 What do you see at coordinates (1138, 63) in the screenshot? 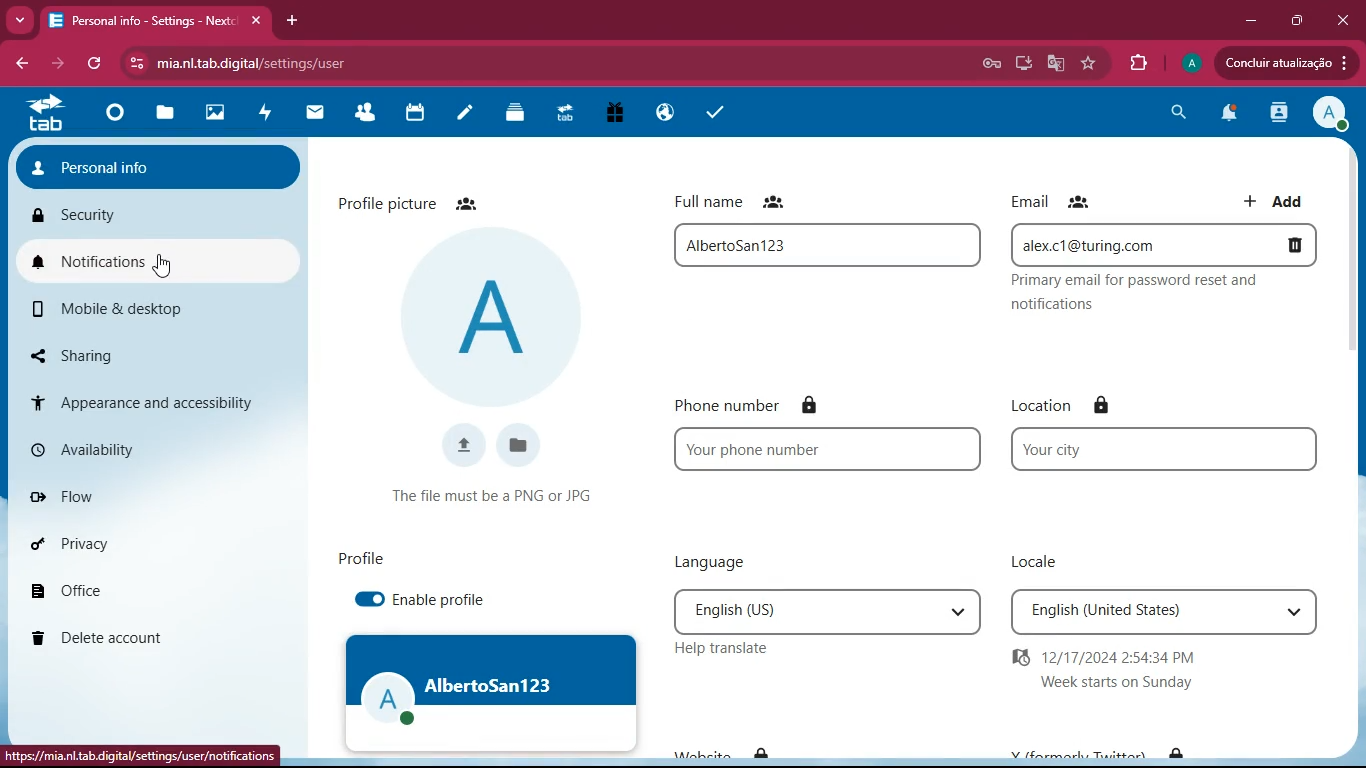
I see `extensions` at bounding box center [1138, 63].